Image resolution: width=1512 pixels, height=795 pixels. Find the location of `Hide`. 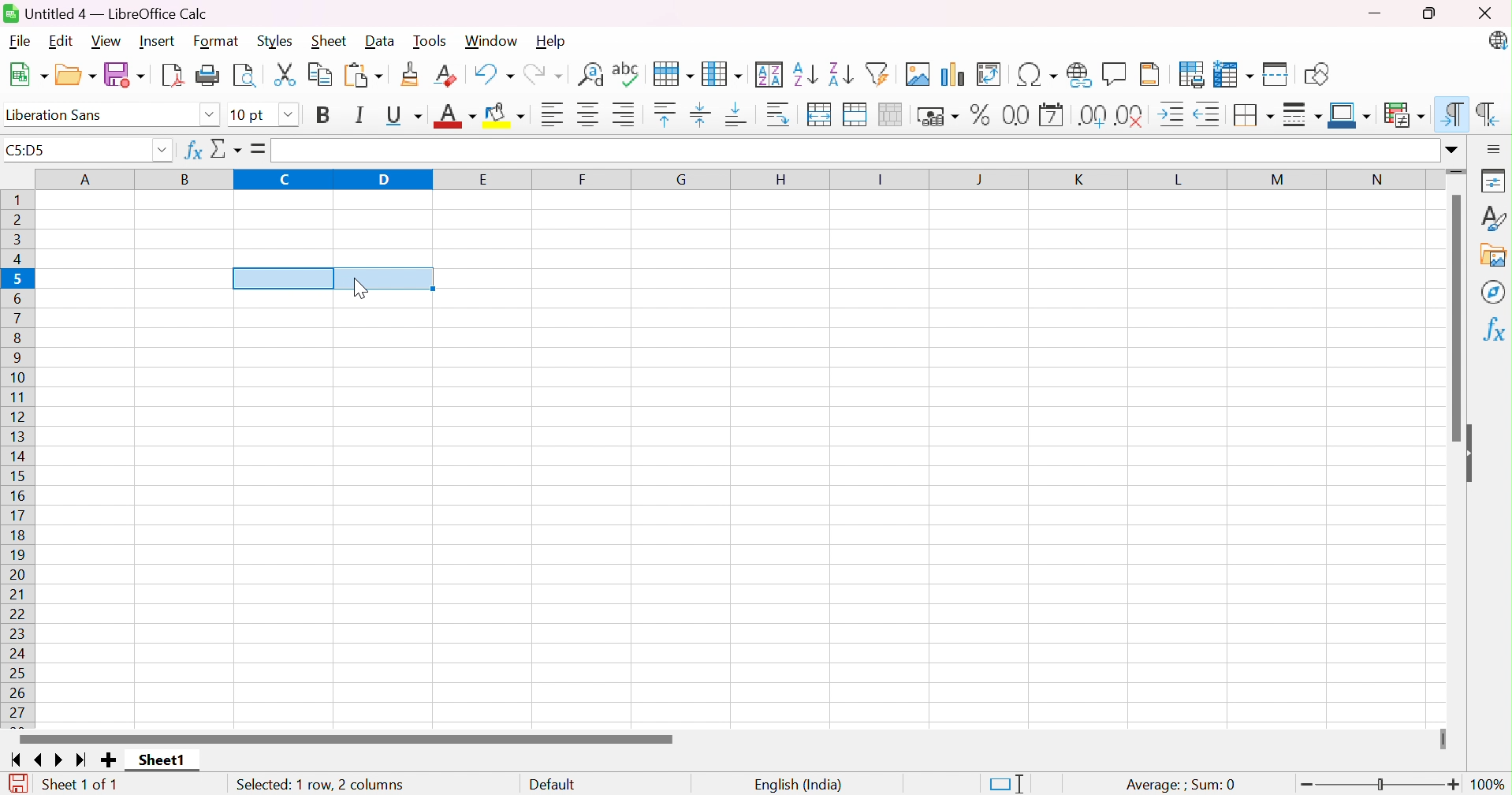

Hide is located at coordinates (1474, 453).